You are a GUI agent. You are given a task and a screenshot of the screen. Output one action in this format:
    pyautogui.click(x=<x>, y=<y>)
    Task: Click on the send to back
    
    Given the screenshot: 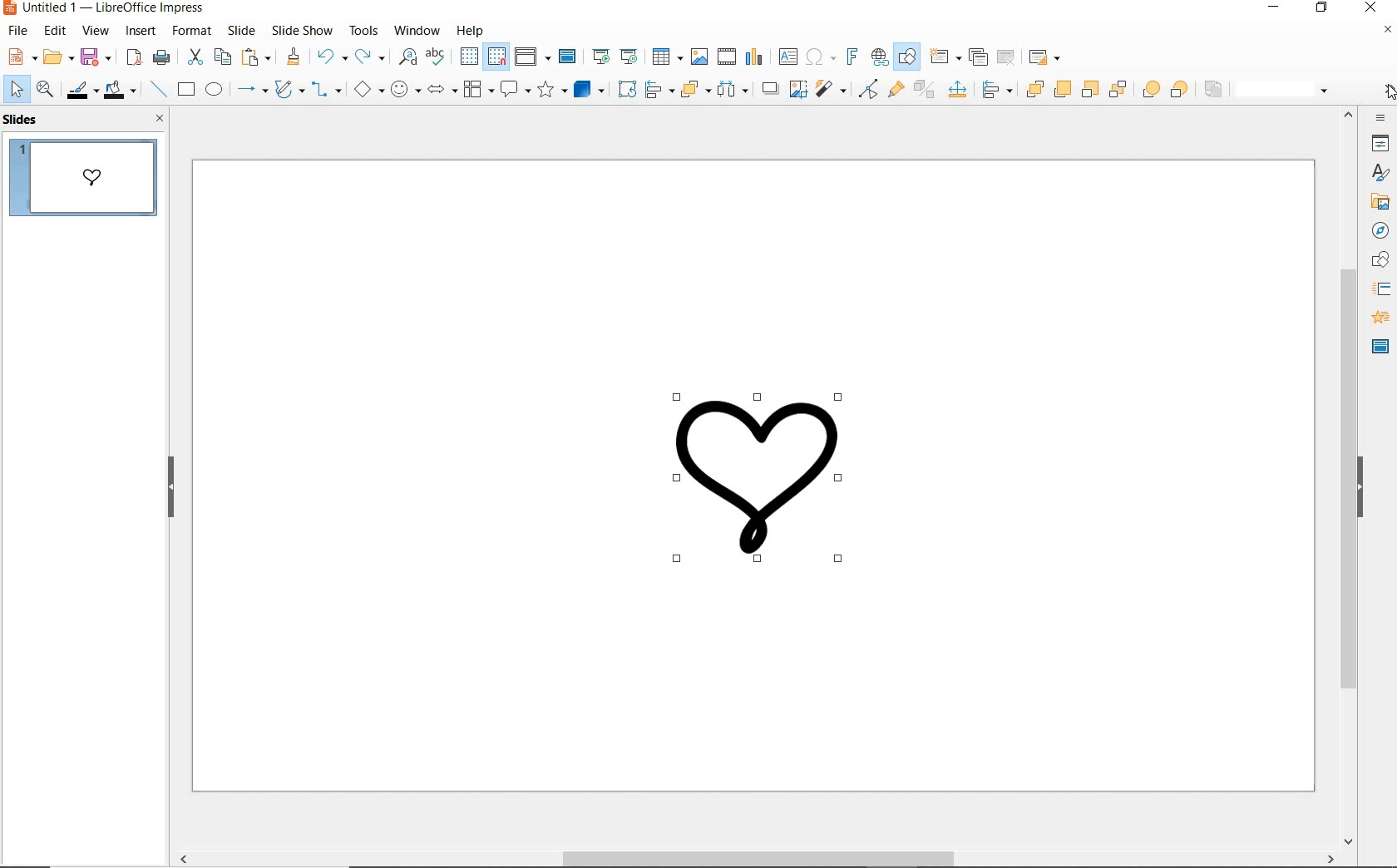 What is the action you would take?
    pyautogui.click(x=1117, y=91)
    